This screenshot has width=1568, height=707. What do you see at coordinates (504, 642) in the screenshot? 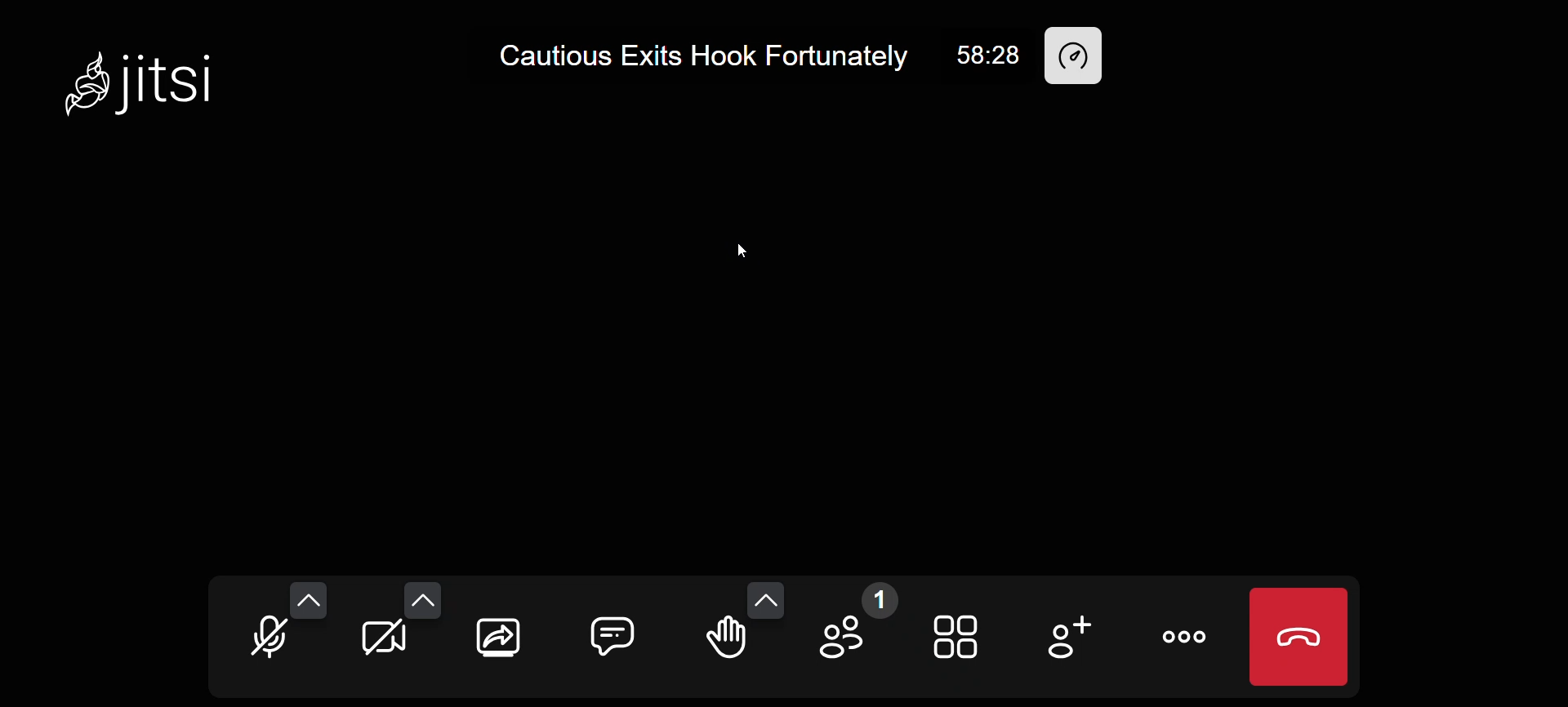
I see `screen share` at bounding box center [504, 642].